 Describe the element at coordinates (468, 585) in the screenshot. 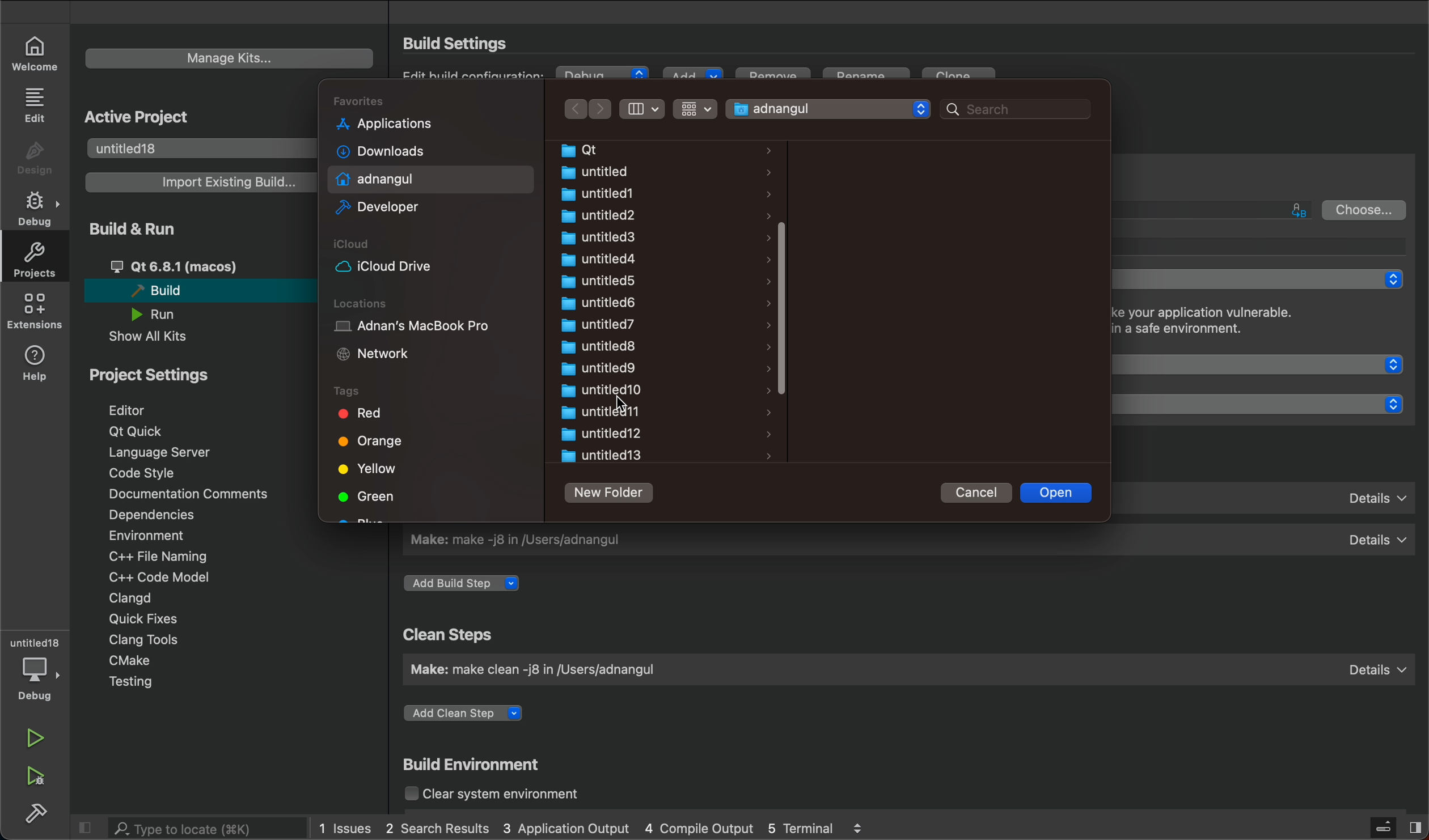

I see `add build step` at that location.